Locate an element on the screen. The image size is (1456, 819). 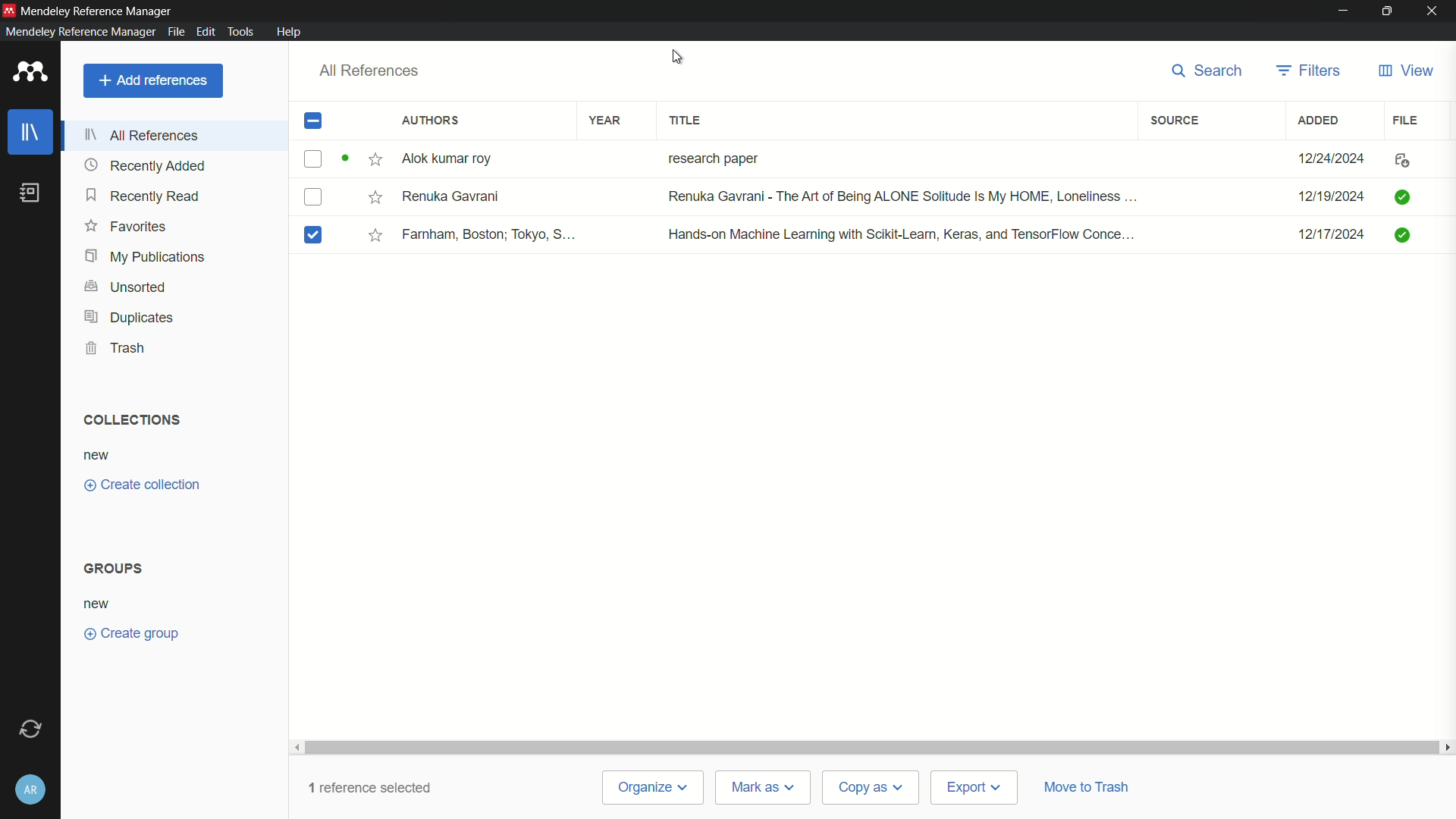
collections is located at coordinates (130, 420).